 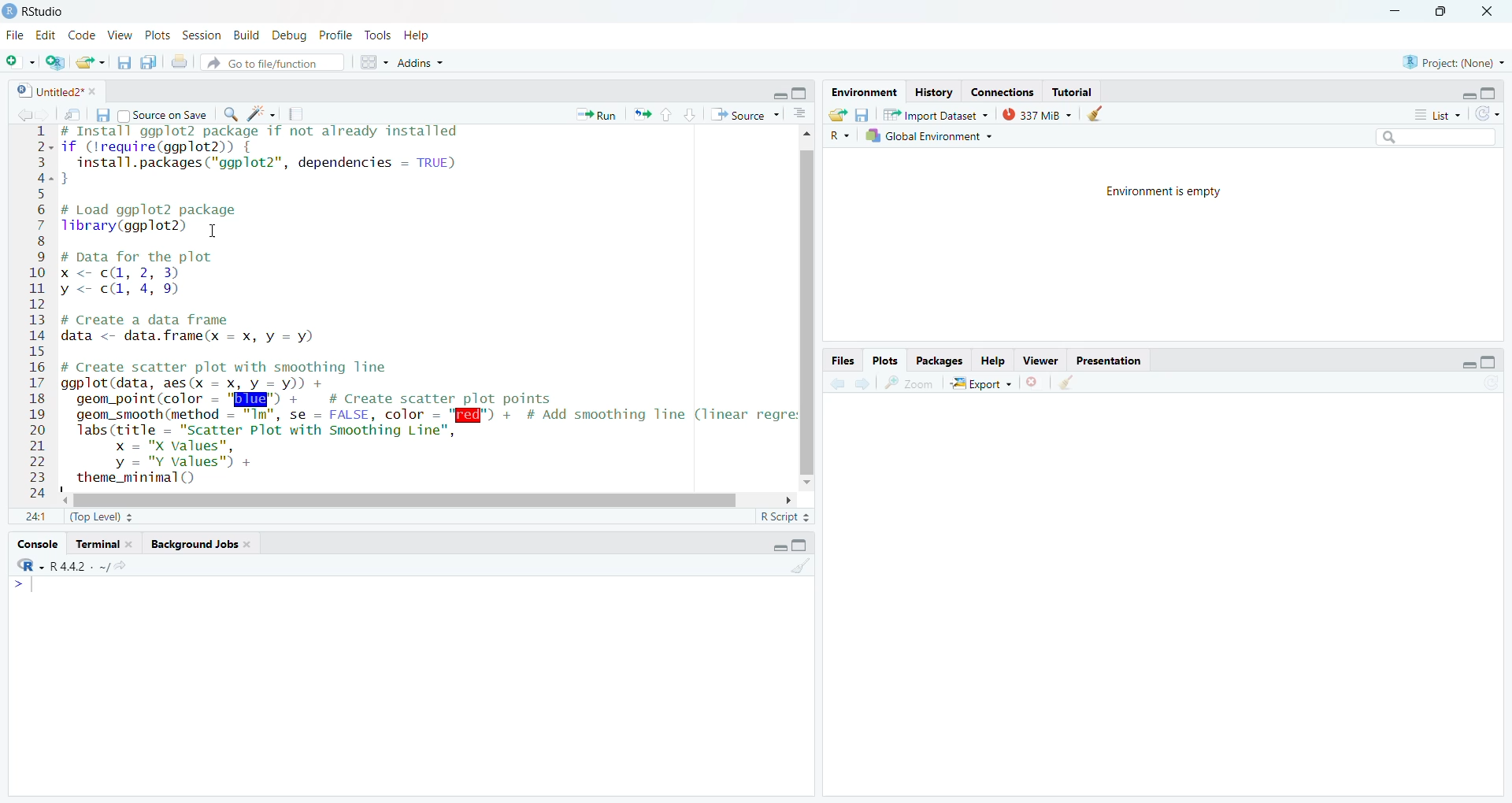 I want to click on typing cursor, so click(x=29, y=589).